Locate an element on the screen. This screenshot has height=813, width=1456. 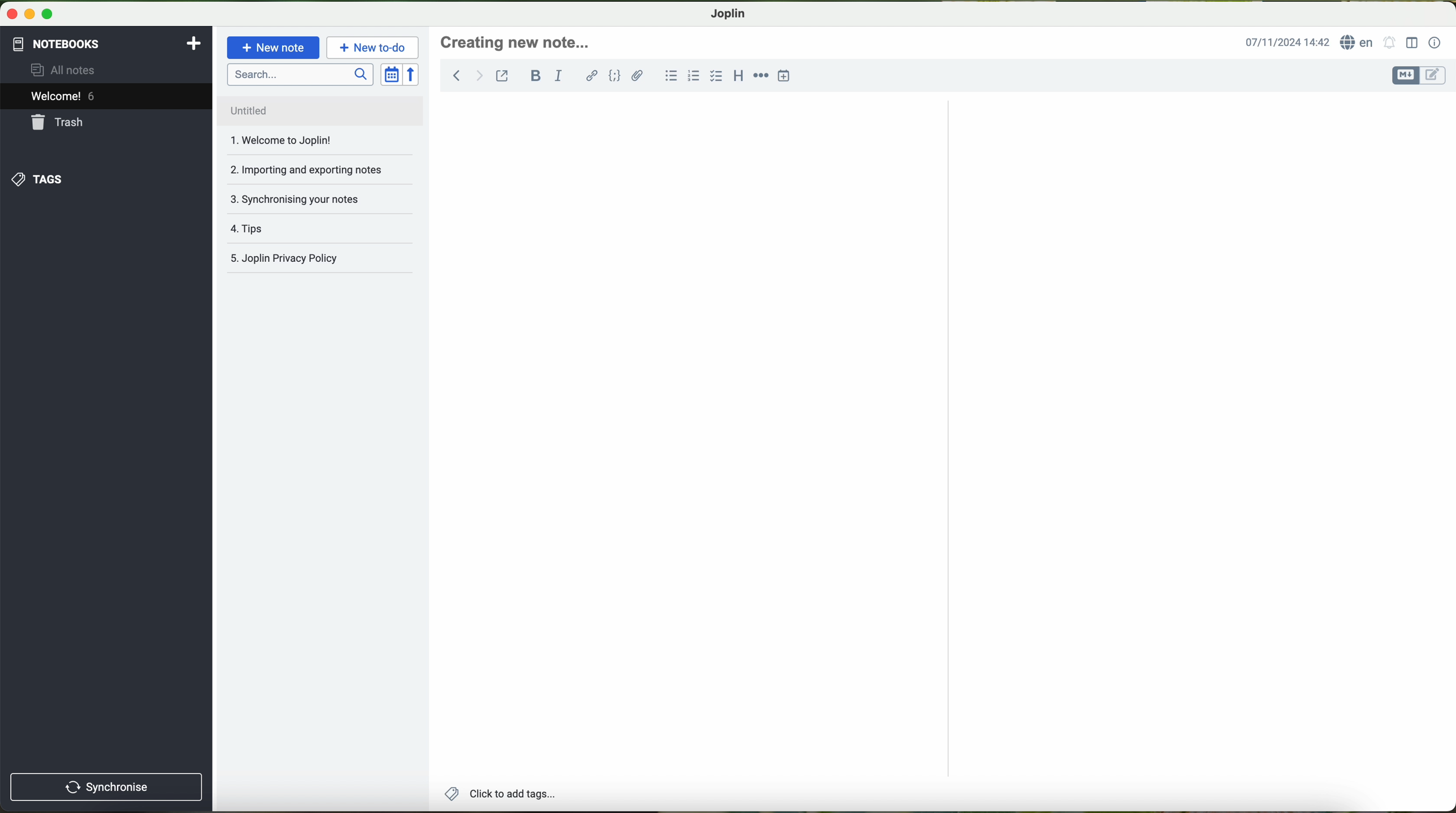
checkbox is located at coordinates (716, 77).